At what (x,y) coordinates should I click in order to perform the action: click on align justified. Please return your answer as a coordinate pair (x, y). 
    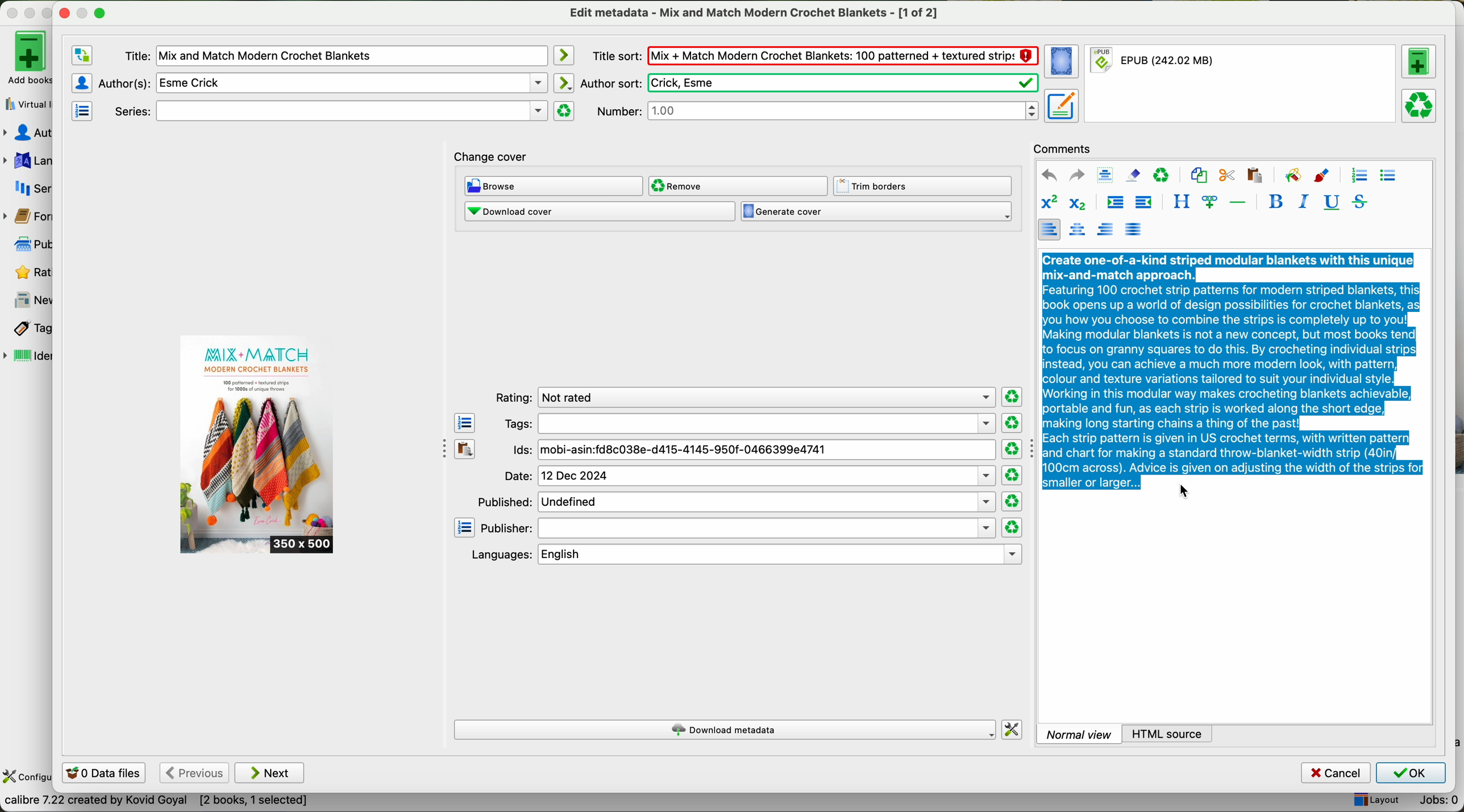
    Looking at the image, I should click on (1133, 228).